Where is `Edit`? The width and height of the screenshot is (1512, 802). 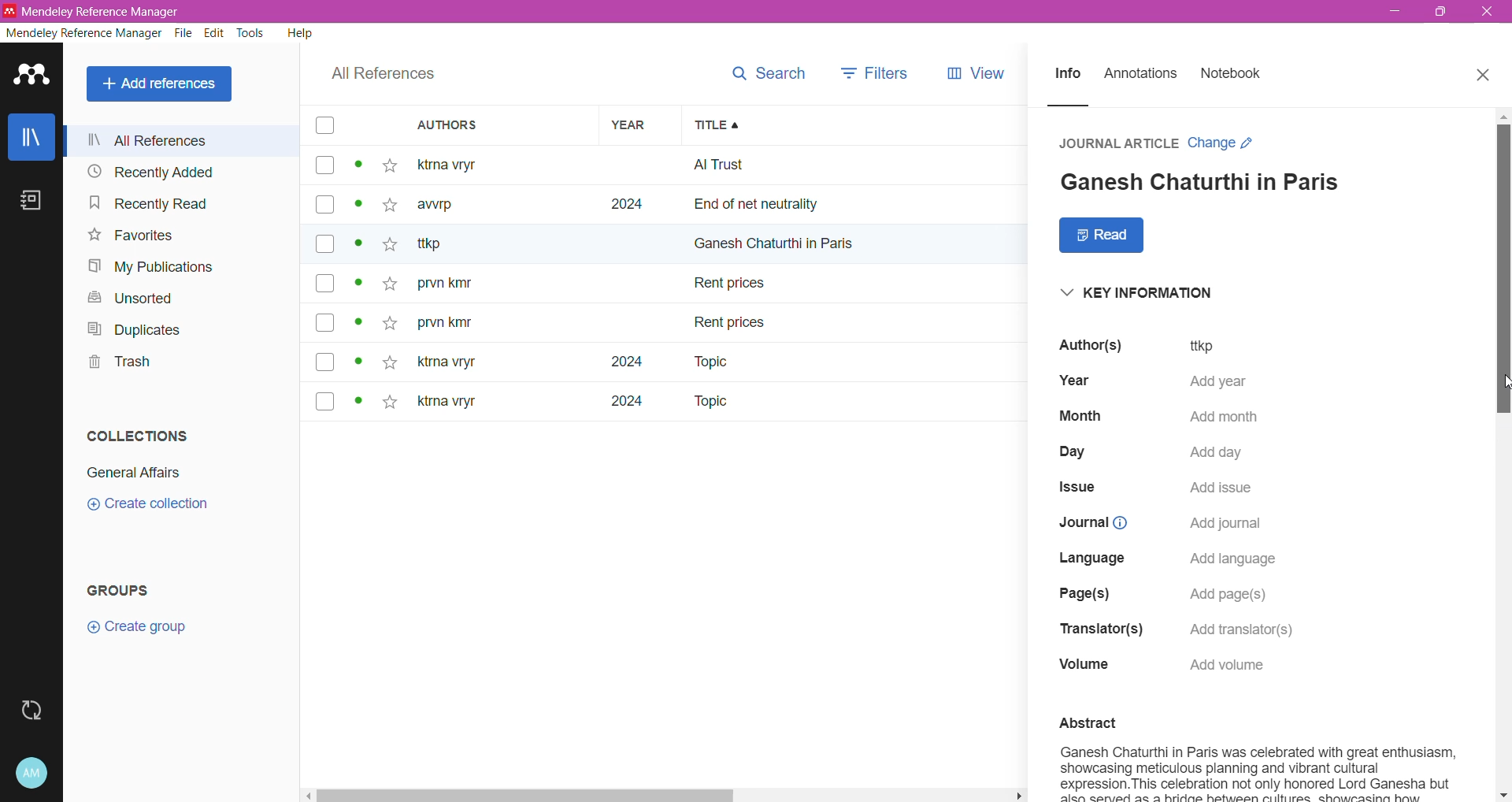 Edit is located at coordinates (215, 34).